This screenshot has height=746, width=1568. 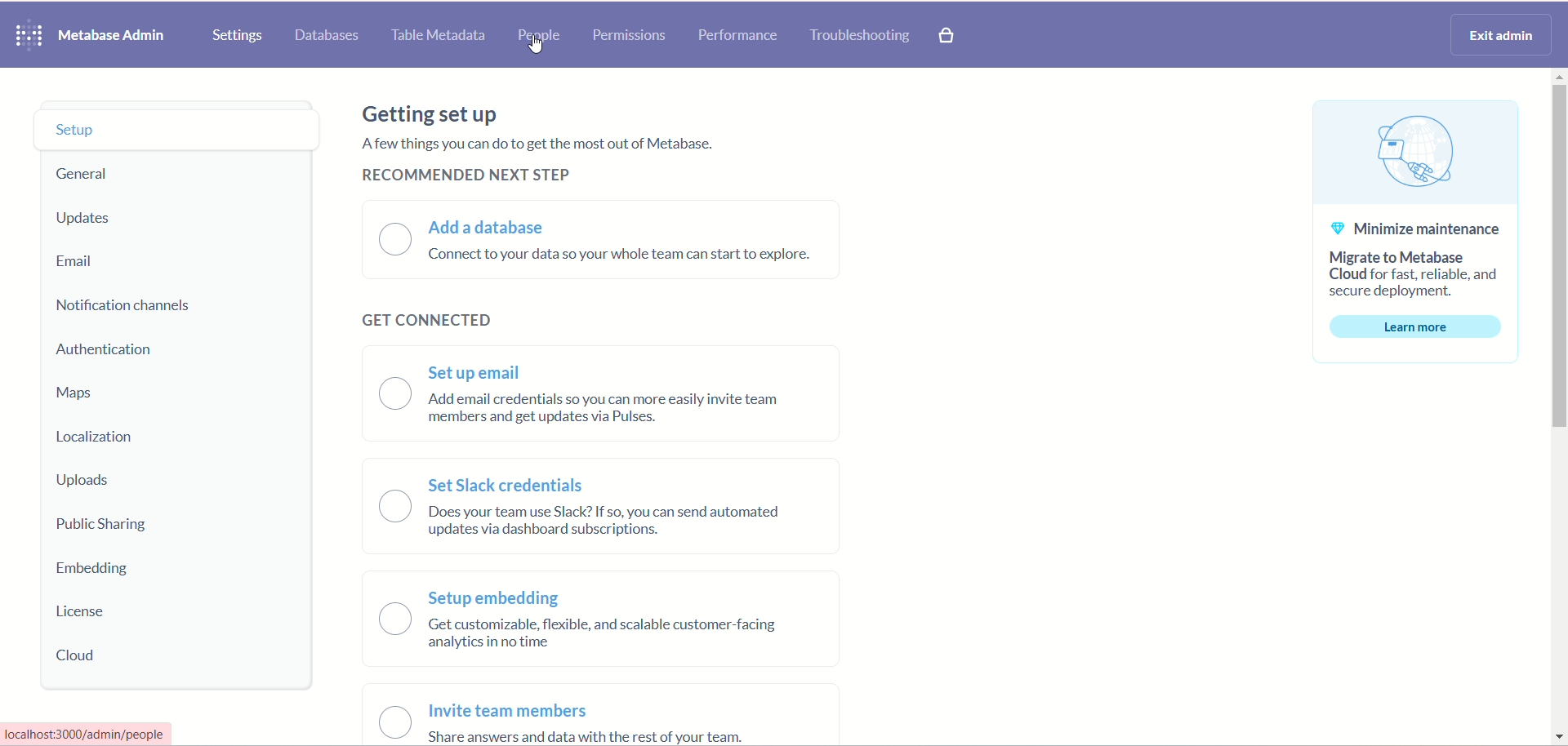 I want to click on people, so click(x=536, y=38).